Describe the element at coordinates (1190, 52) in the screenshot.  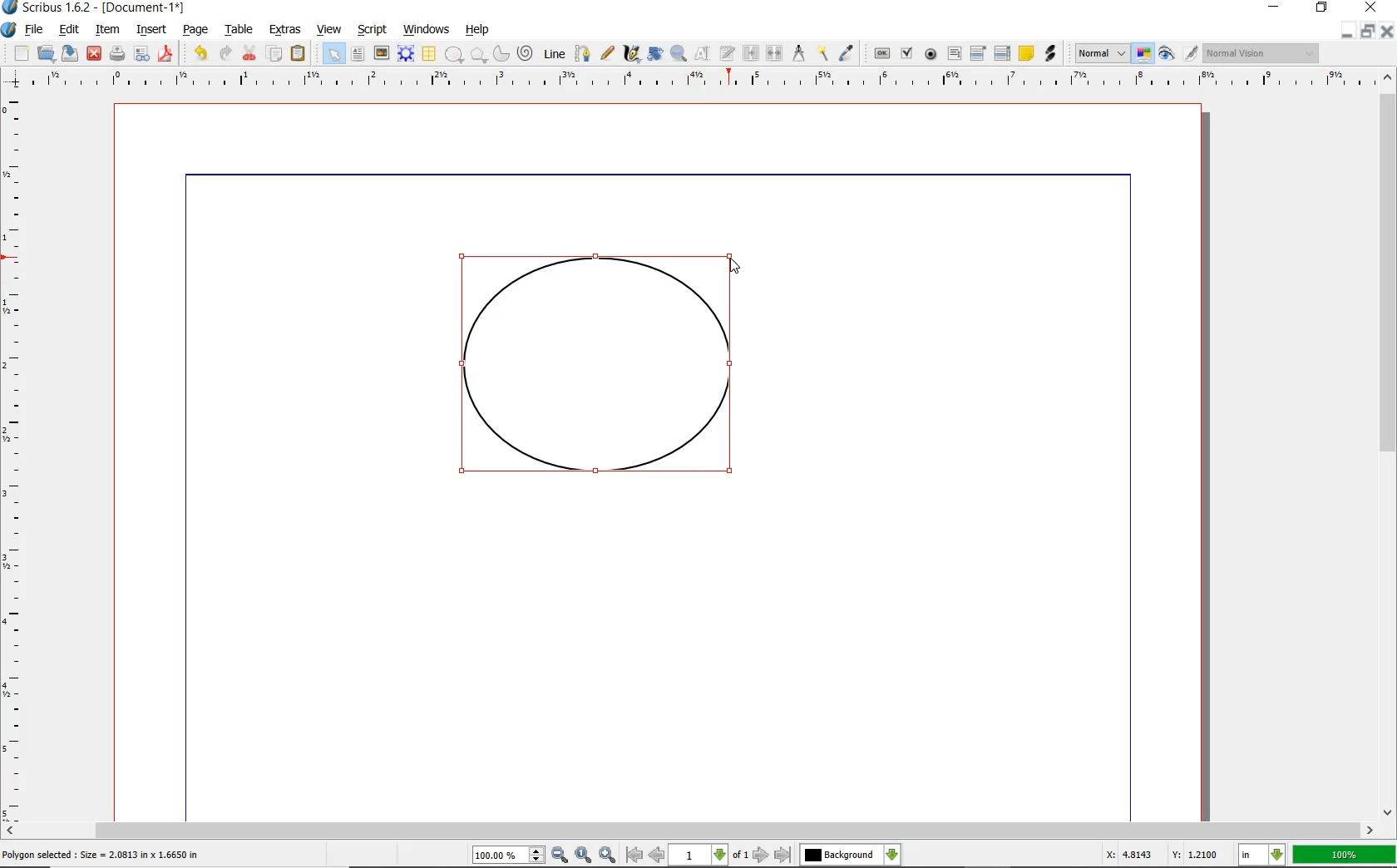
I see `EDIT IN PREVIEW MODE` at that location.